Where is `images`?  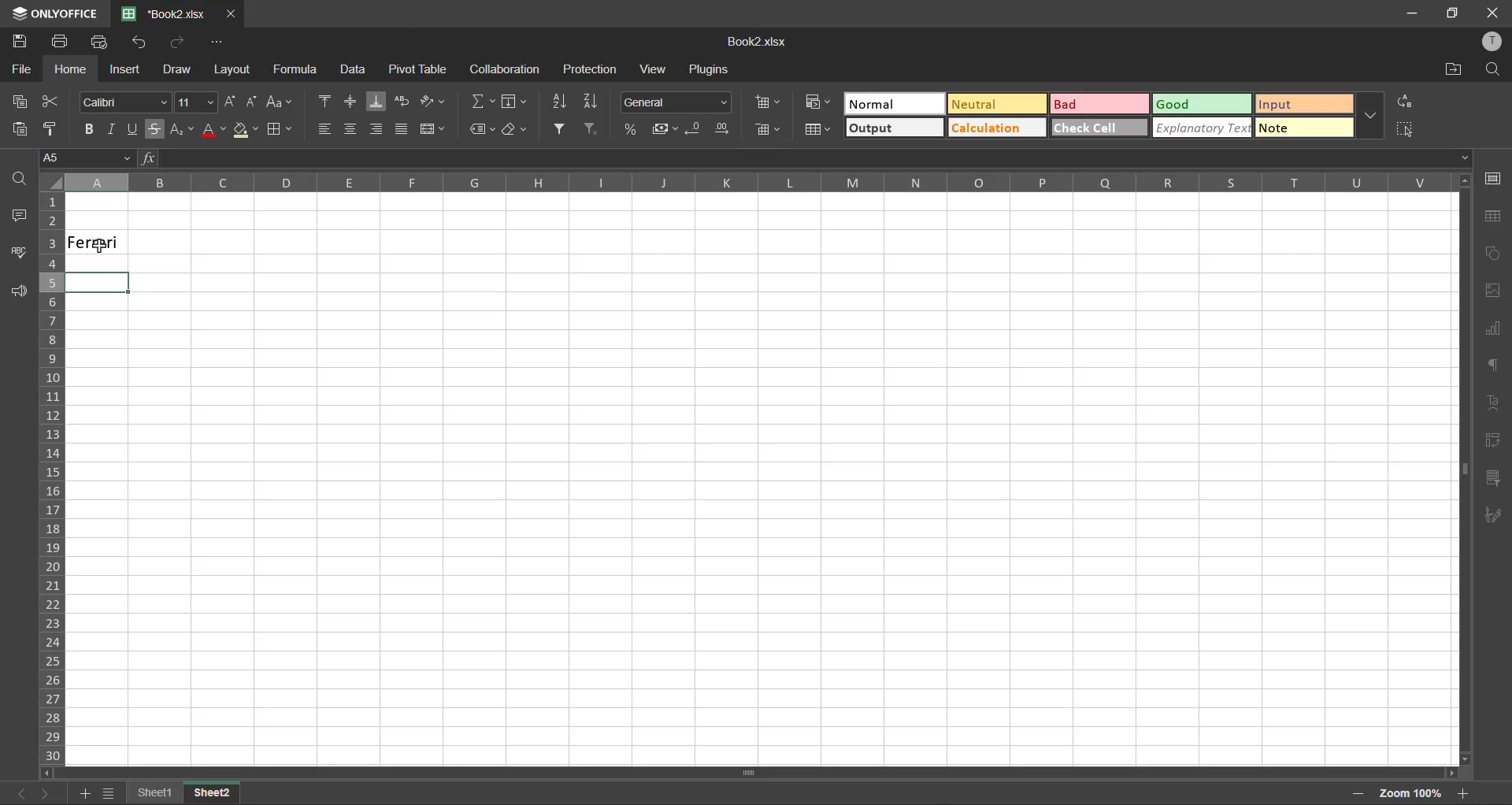
images is located at coordinates (1497, 294).